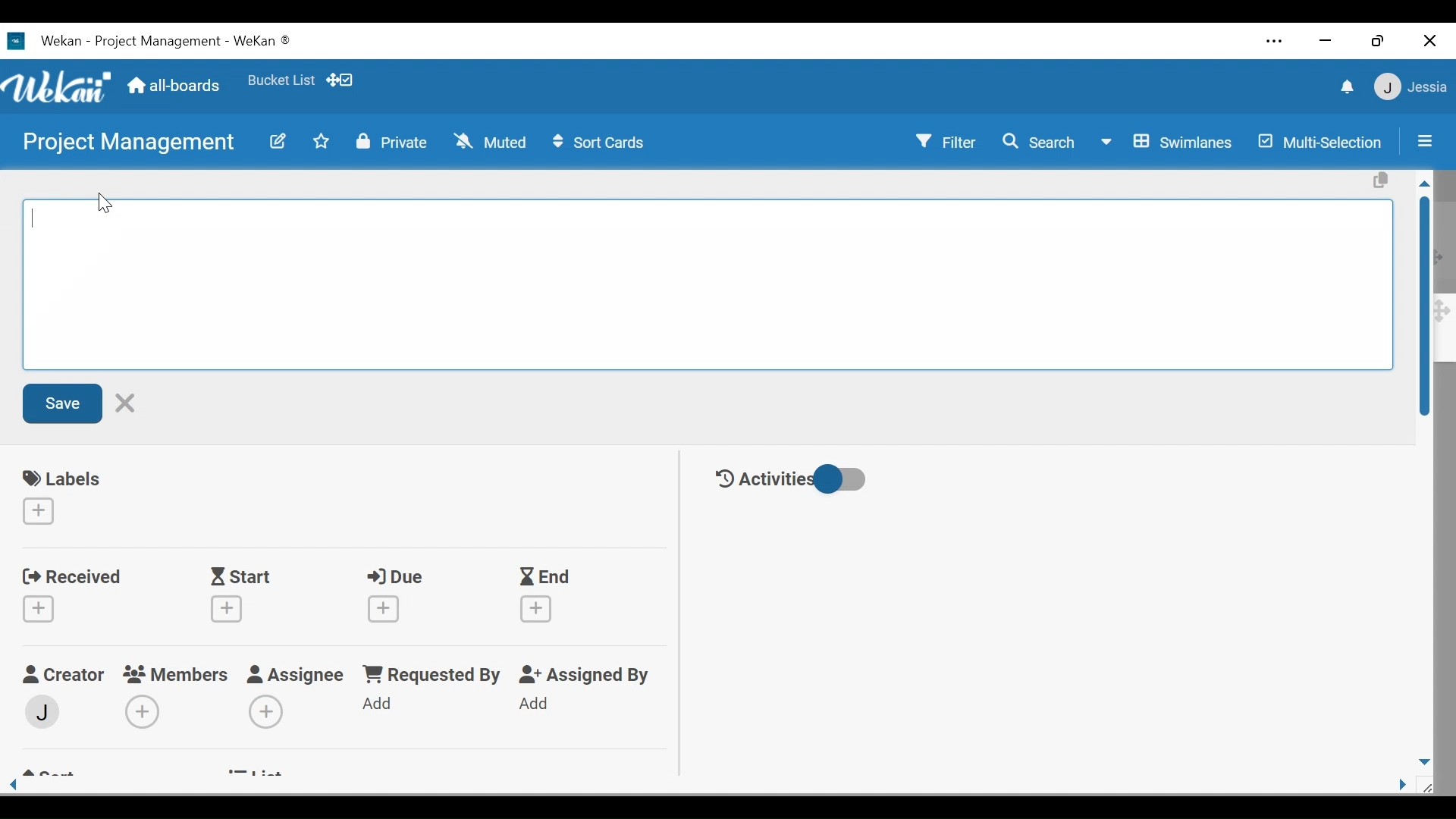 This screenshot has width=1456, height=819. I want to click on User Member, so click(1411, 86).